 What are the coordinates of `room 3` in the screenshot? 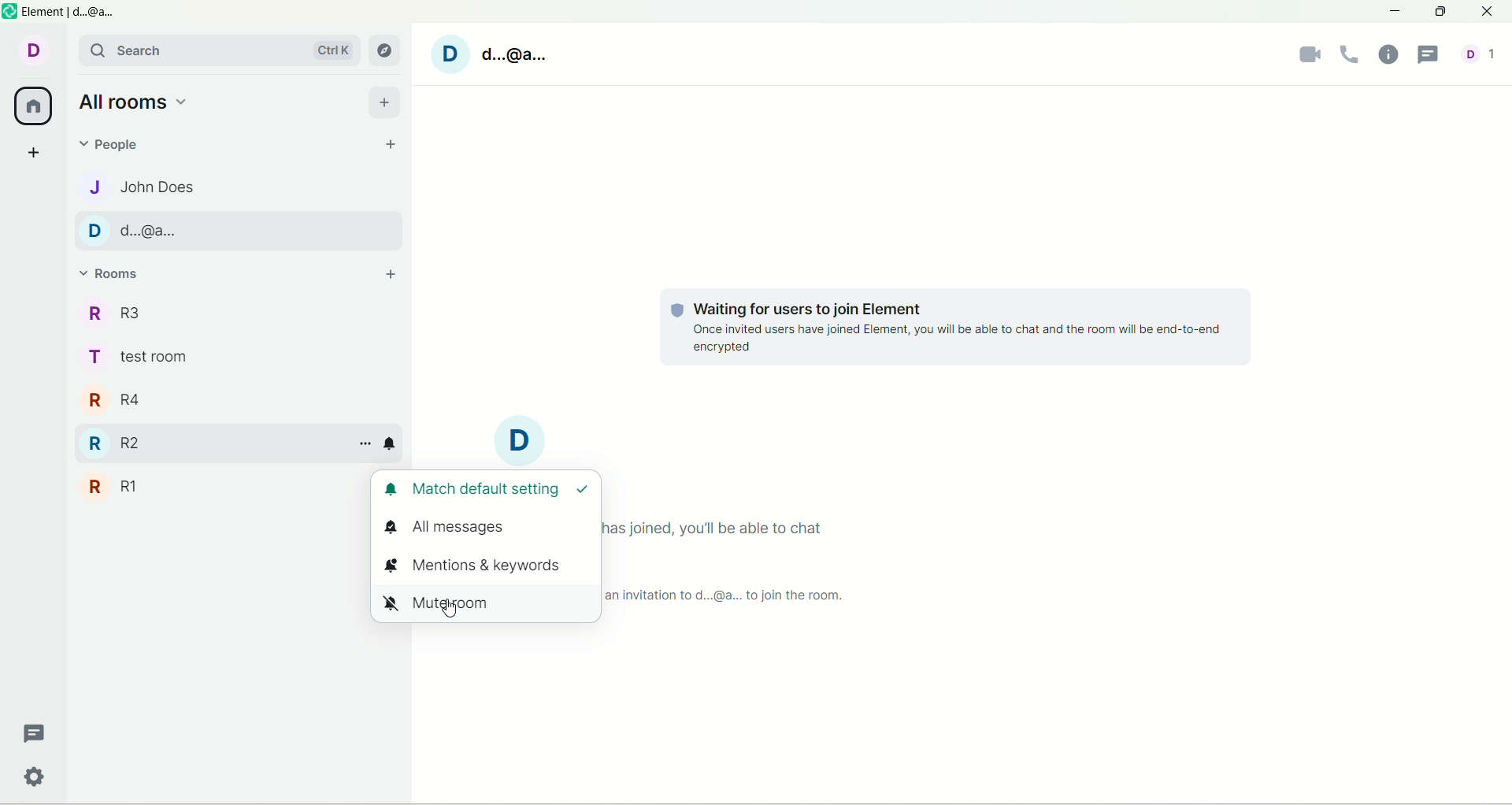 It's located at (143, 310).